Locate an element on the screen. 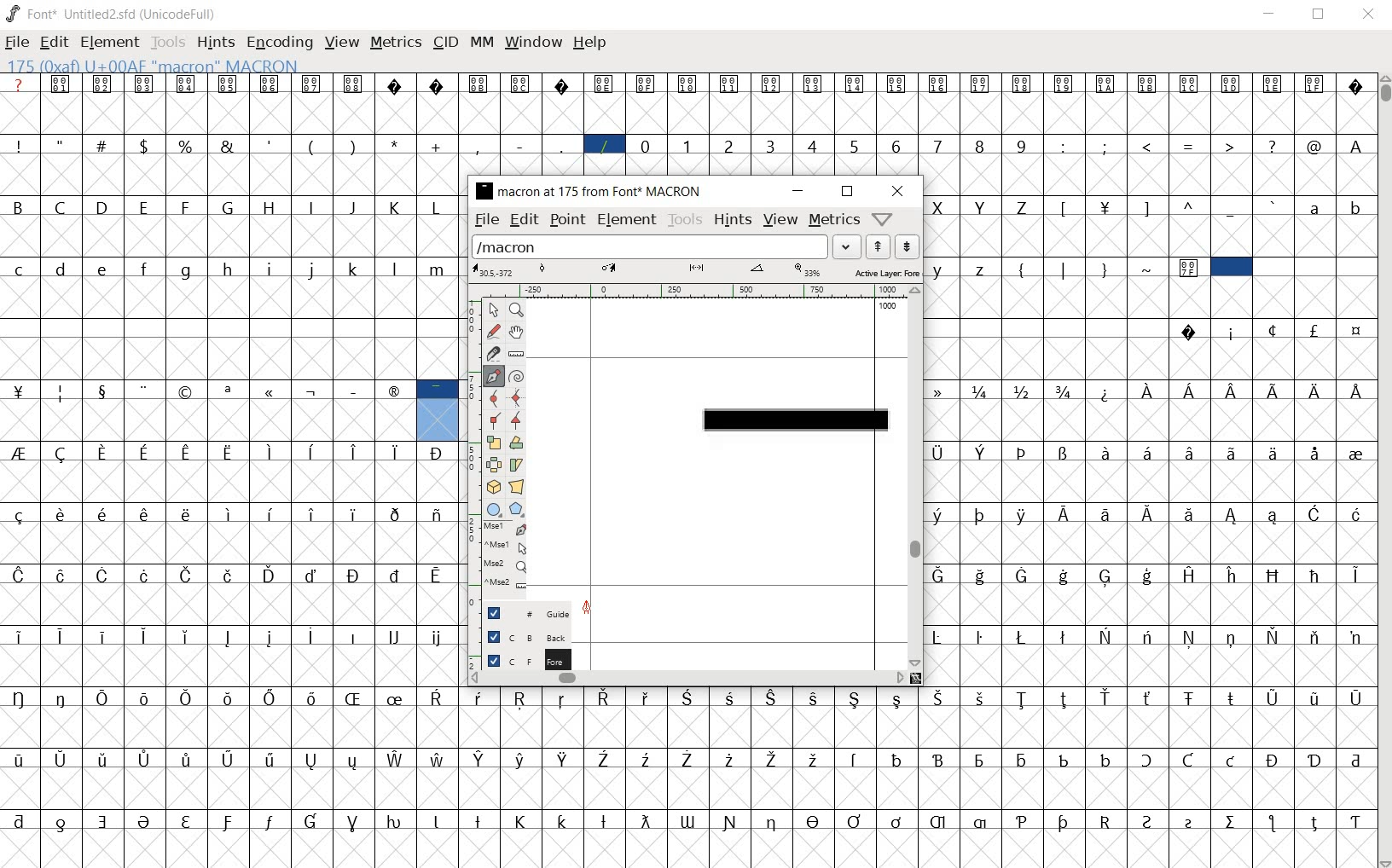  Symbol is located at coordinates (687, 758).